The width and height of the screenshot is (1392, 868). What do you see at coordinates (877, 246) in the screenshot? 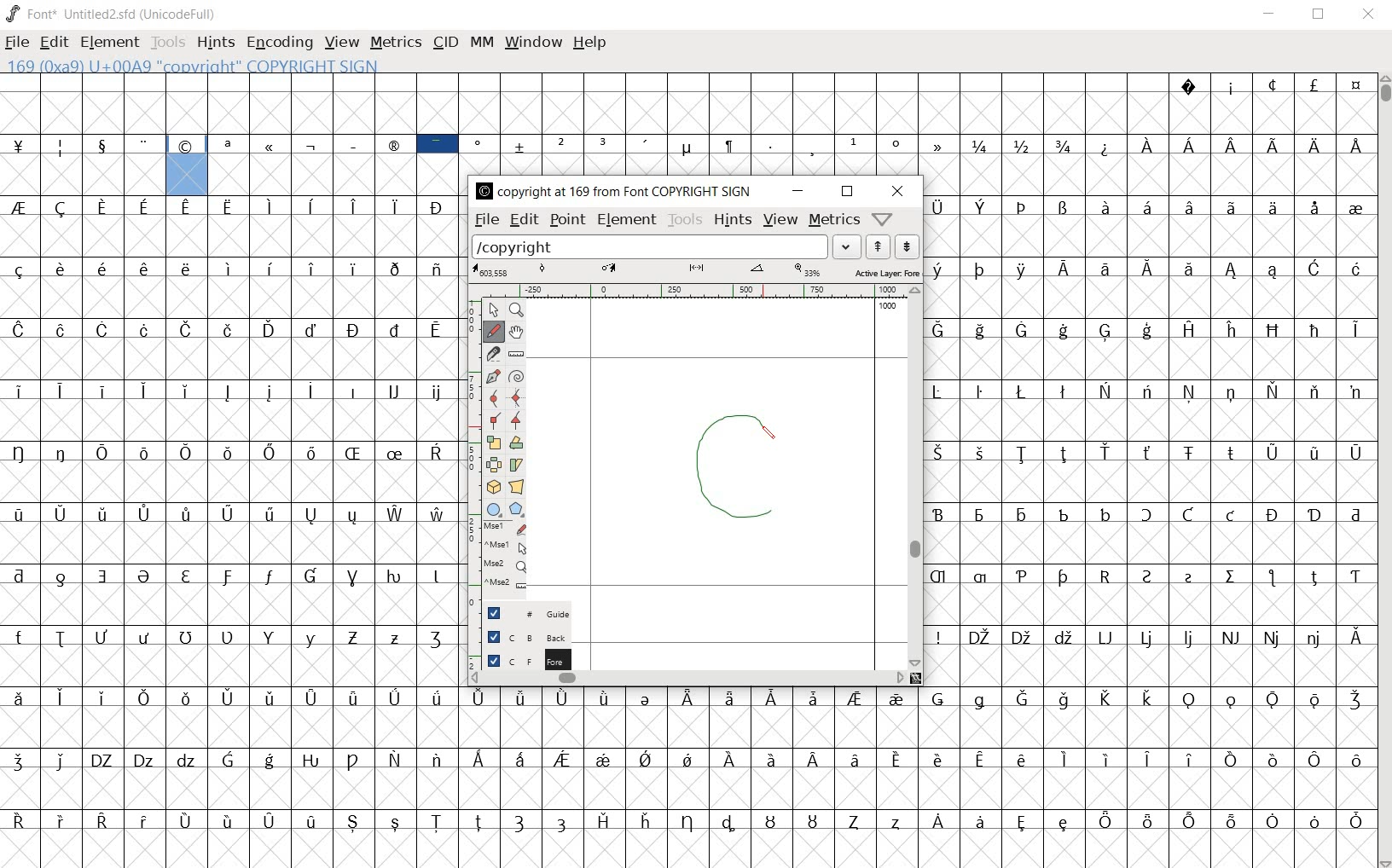
I see `show the next word on the list` at bounding box center [877, 246].